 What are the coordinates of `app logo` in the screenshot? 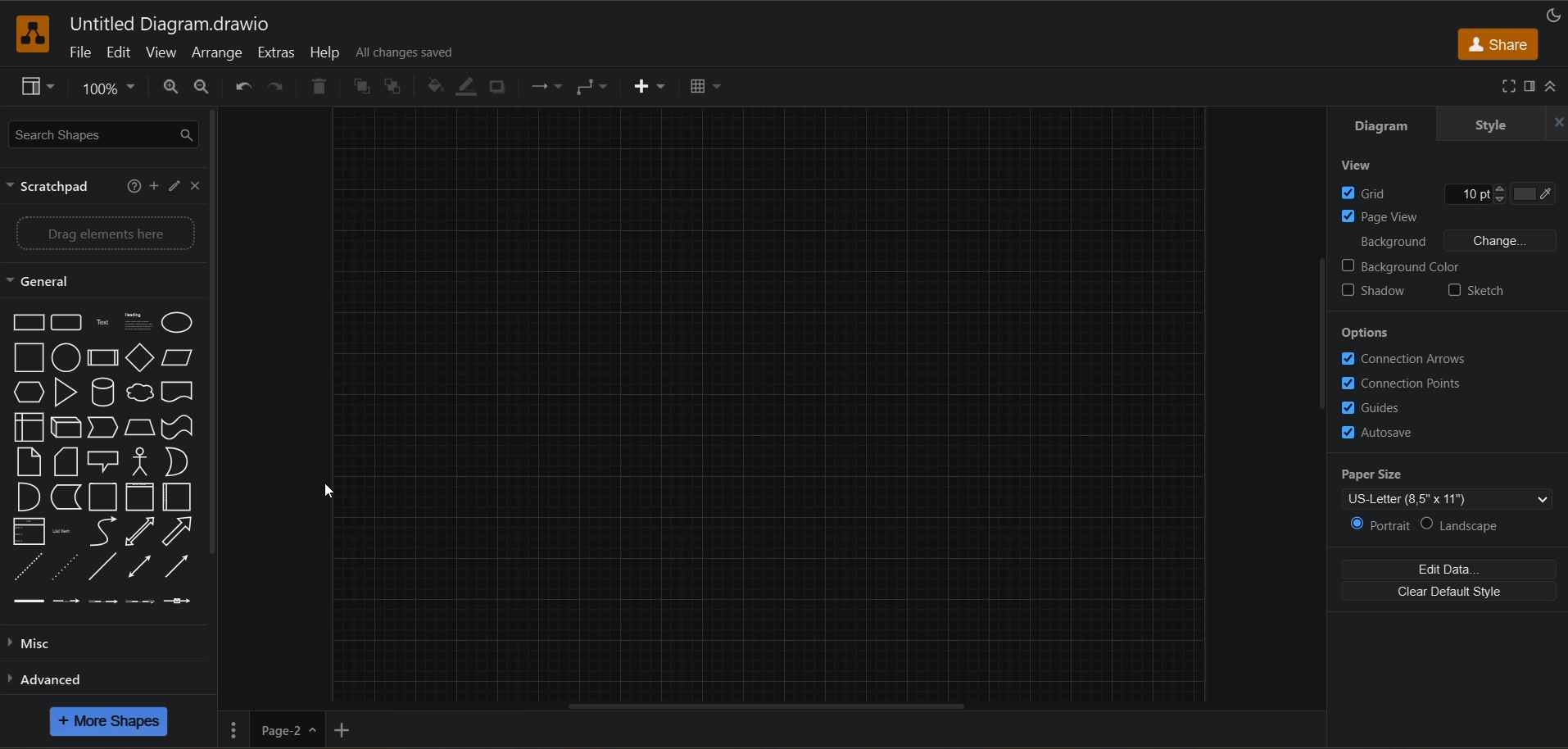 It's located at (34, 35).